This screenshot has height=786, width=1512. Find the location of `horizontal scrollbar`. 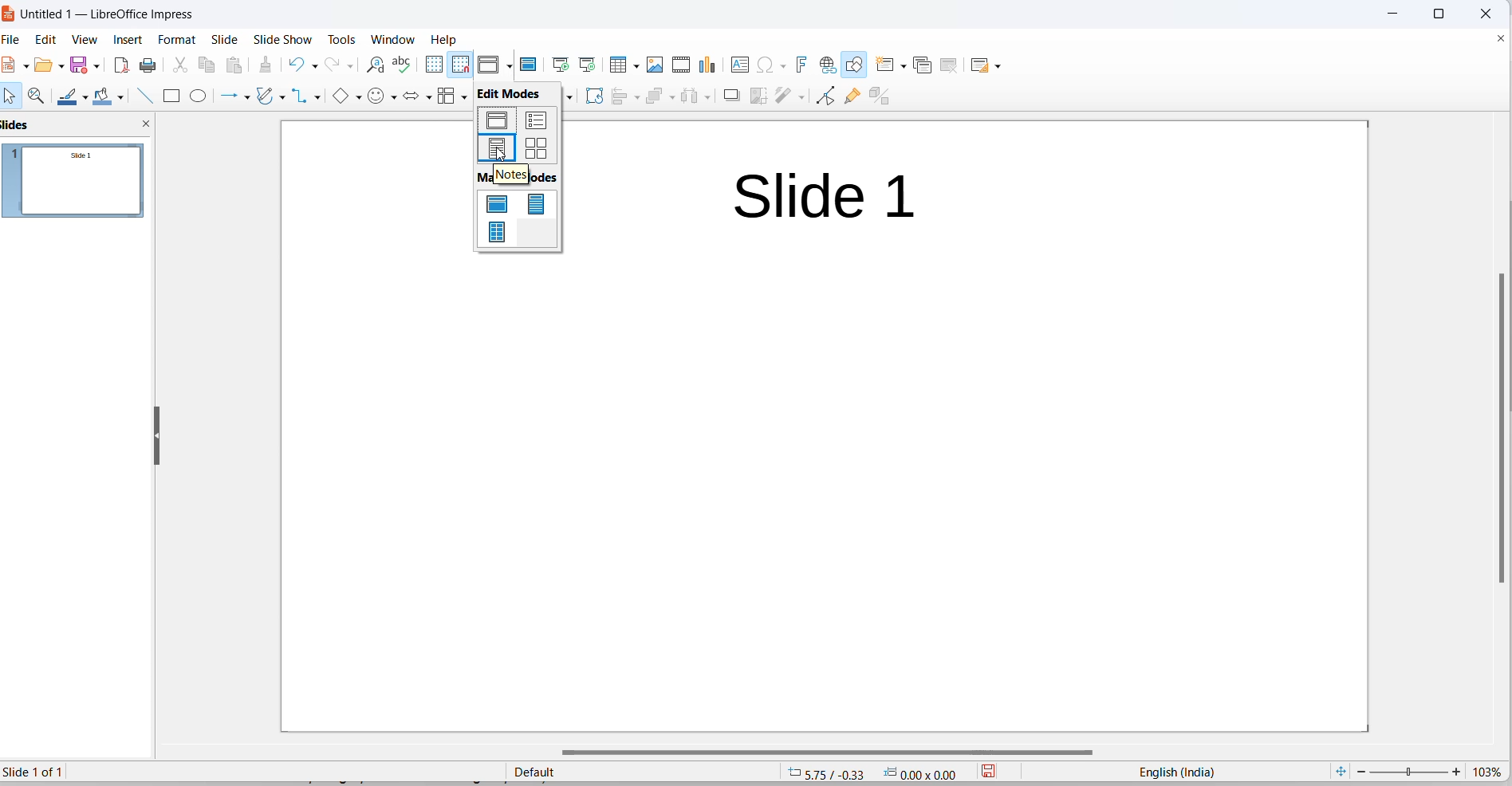

horizontal scrollbar is located at coordinates (838, 755).